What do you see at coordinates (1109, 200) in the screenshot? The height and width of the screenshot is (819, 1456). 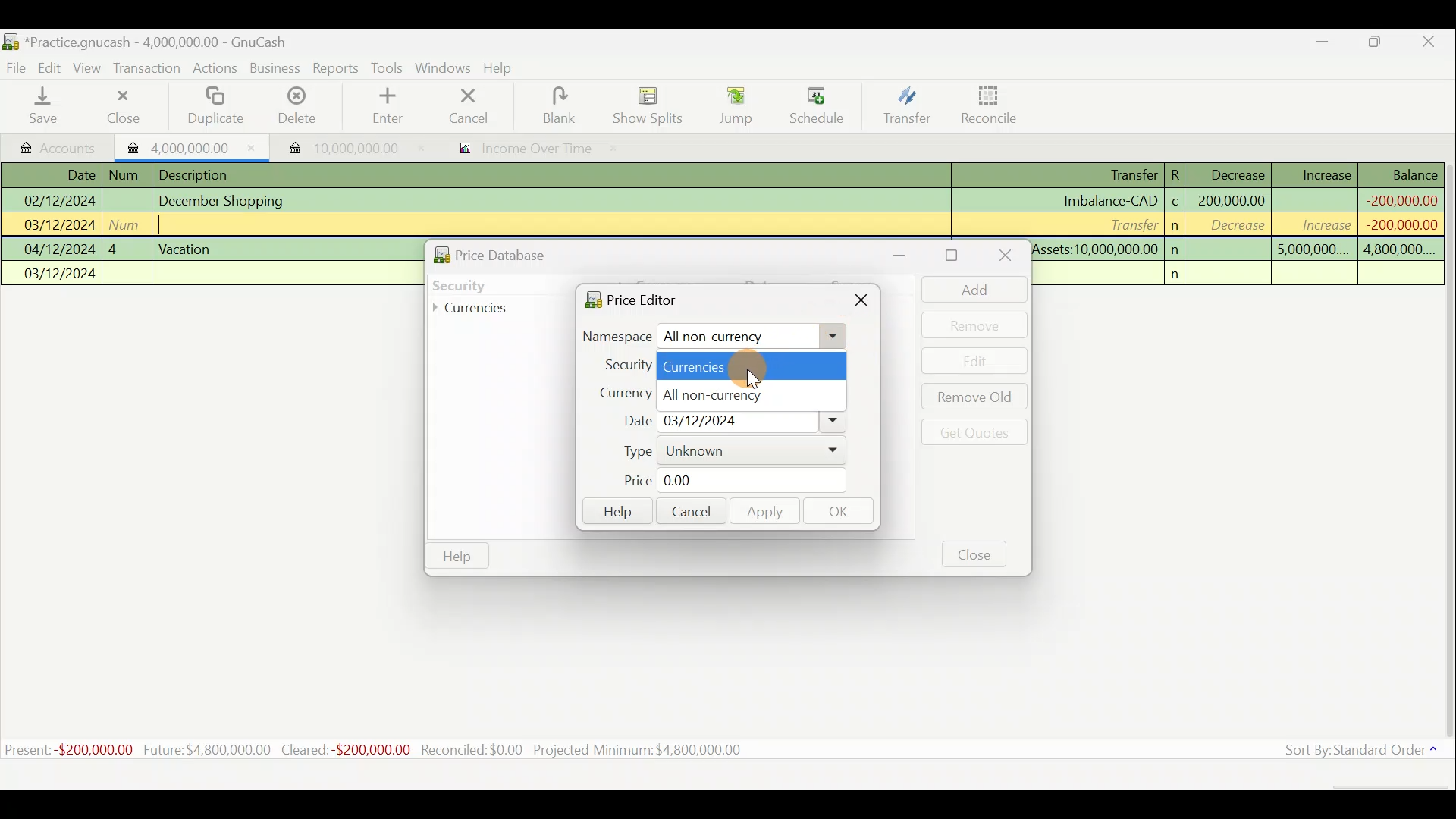 I see `Imbalance-CAD` at bounding box center [1109, 200].